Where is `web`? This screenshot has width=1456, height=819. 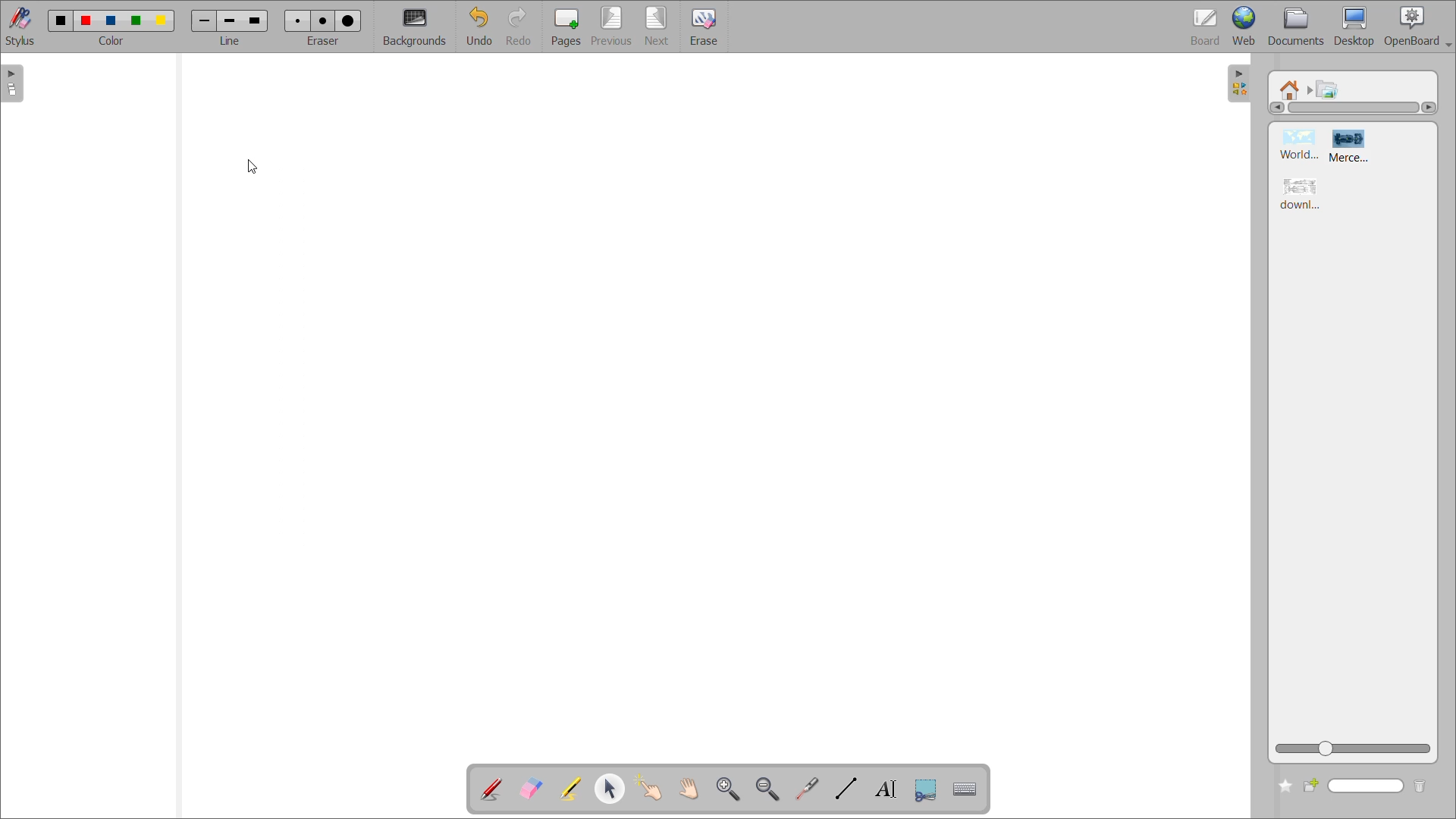
web is located at coordinates (1244, 25).